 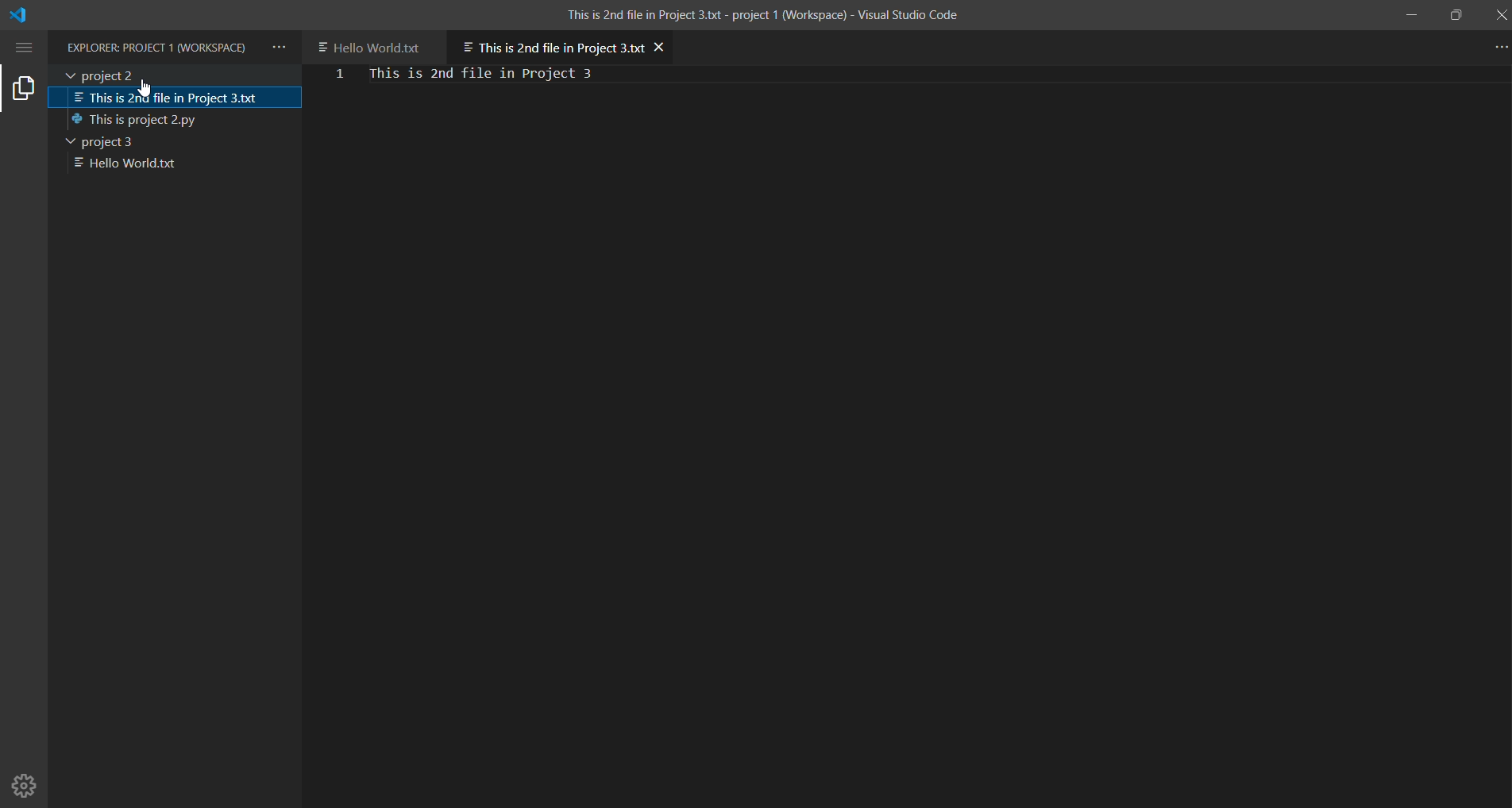 I want to click on title, so click(x=762, y=13).